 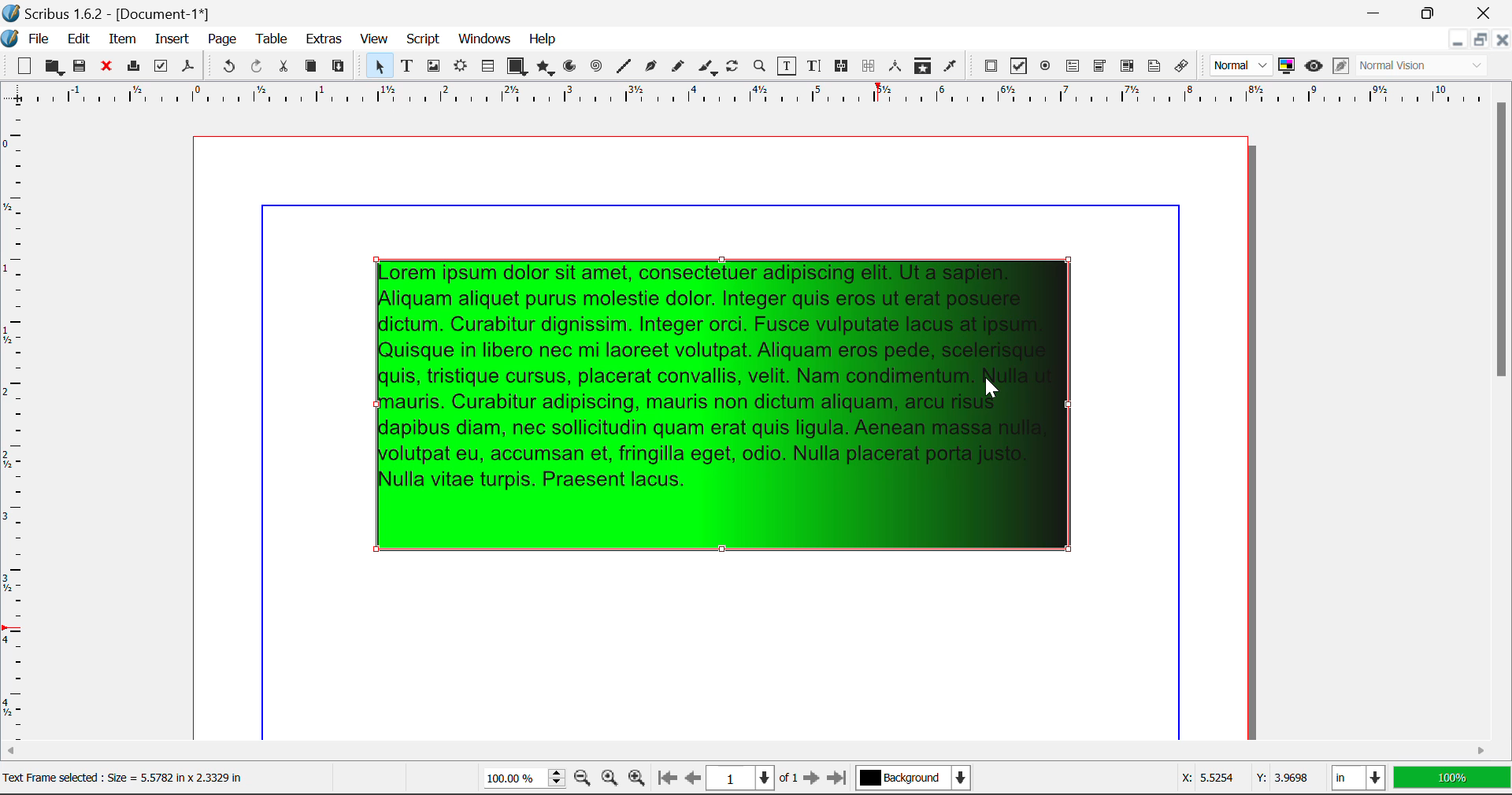 I want to click on File, so click(x=43, y=41).